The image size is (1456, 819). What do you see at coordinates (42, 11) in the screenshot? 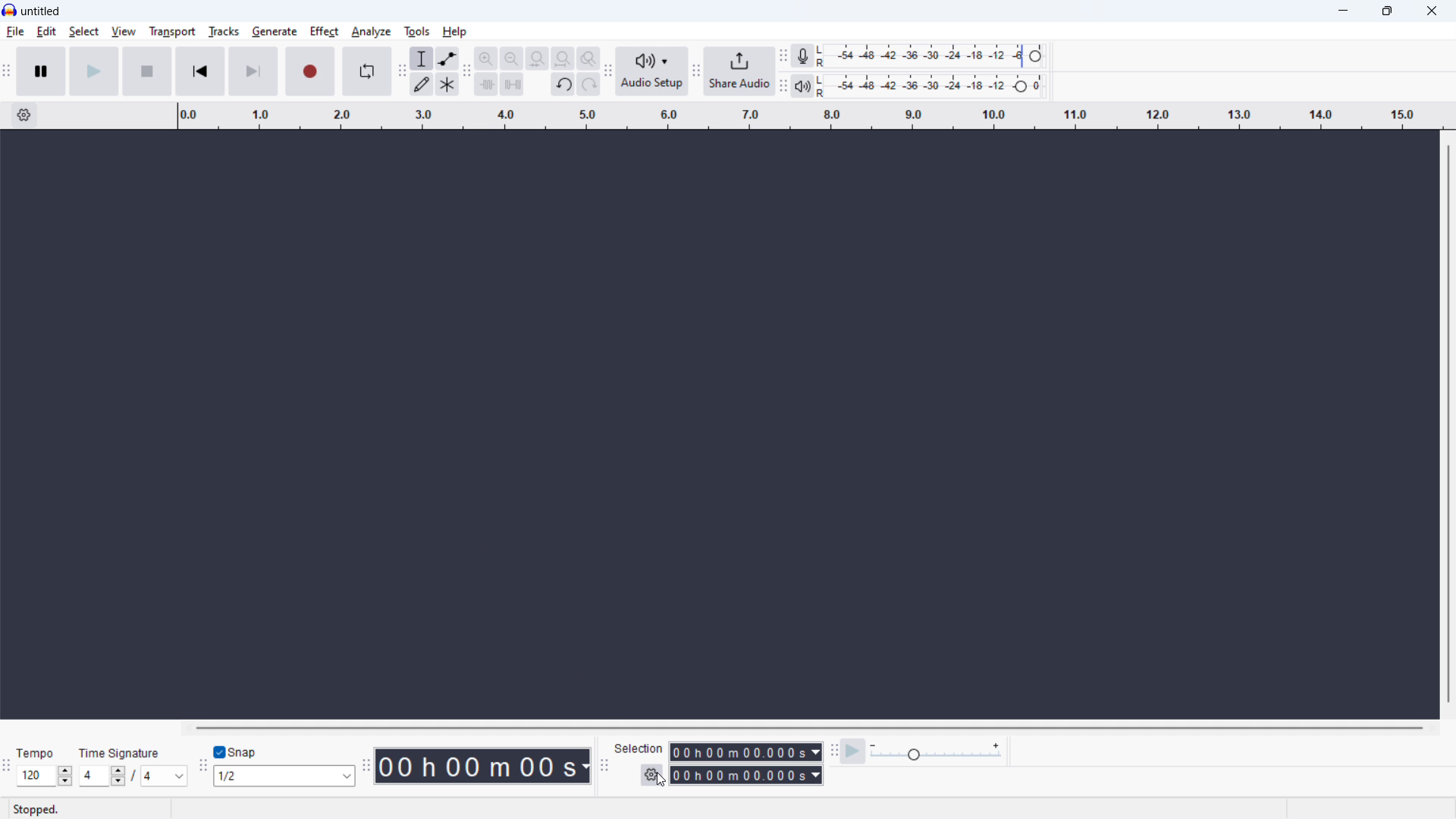
I see `title` at bounding box center [42, 11].